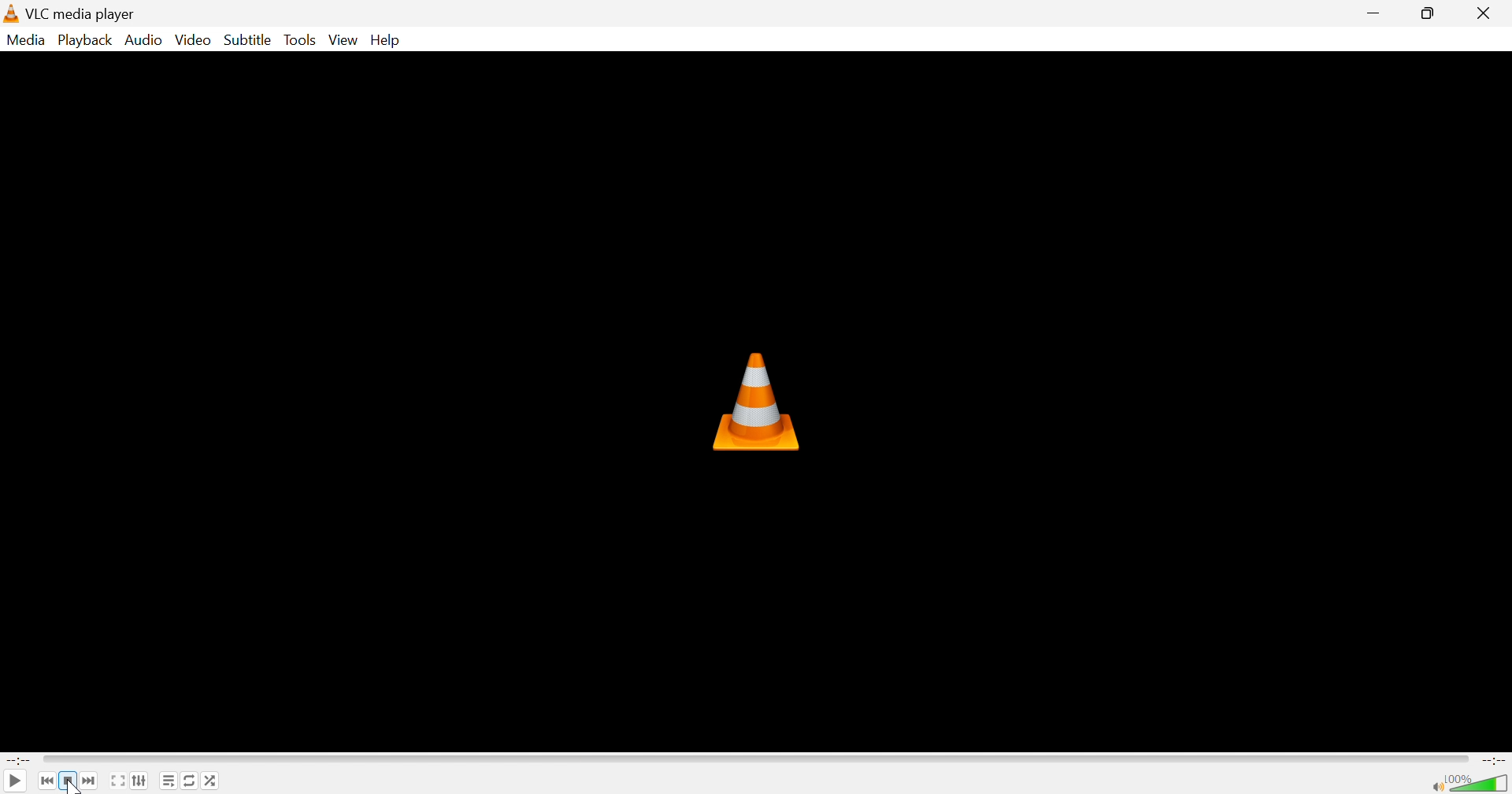 This screenshot has height=794, width=1512. What do you see at coordinates (92, 780) in the screenshot?
I see `Next media in the playlist, skip forward when held` at bounding box center [92, 780].